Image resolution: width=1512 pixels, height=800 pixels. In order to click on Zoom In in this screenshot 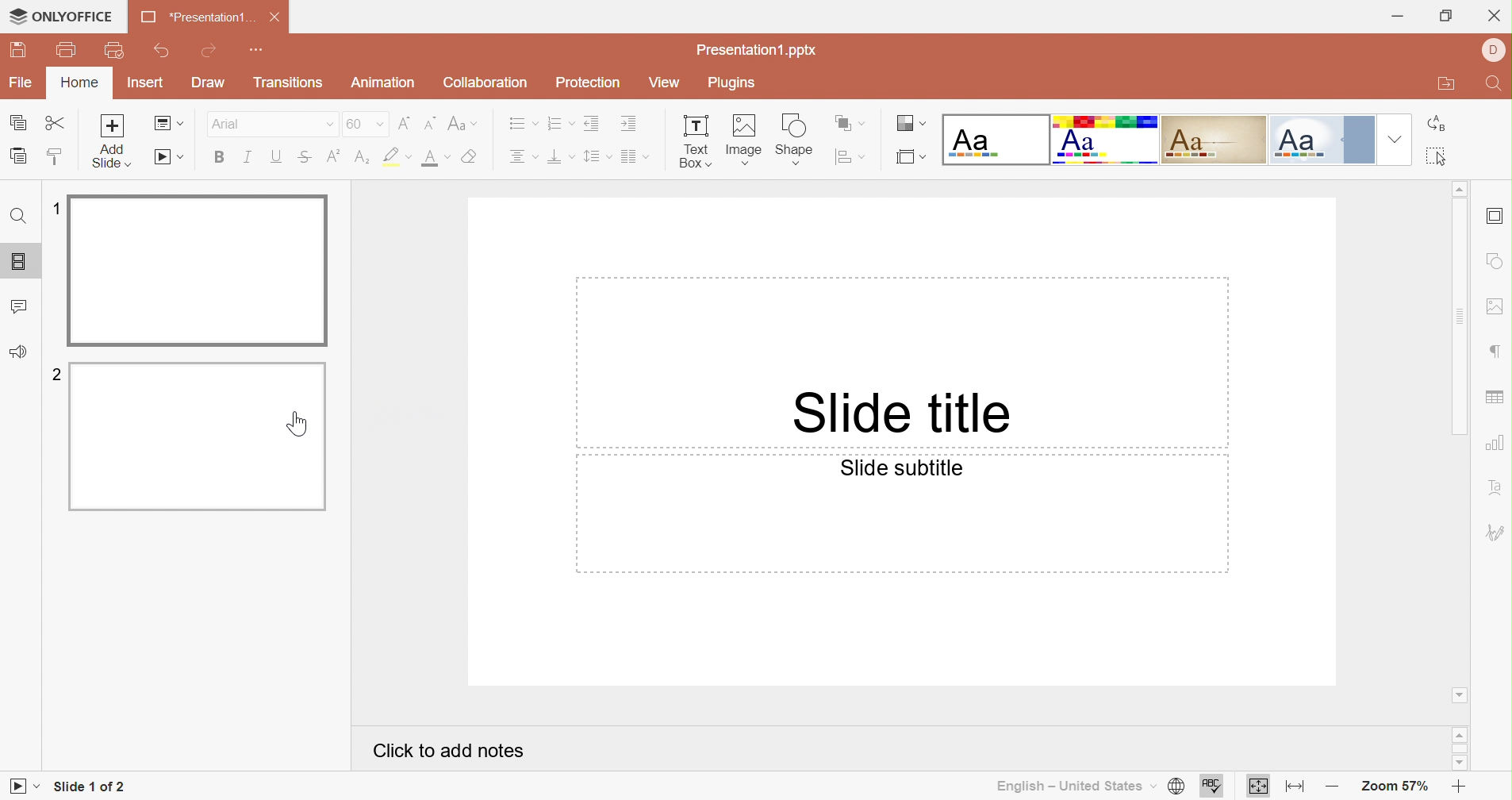, I will do `click(1456, 783)`.